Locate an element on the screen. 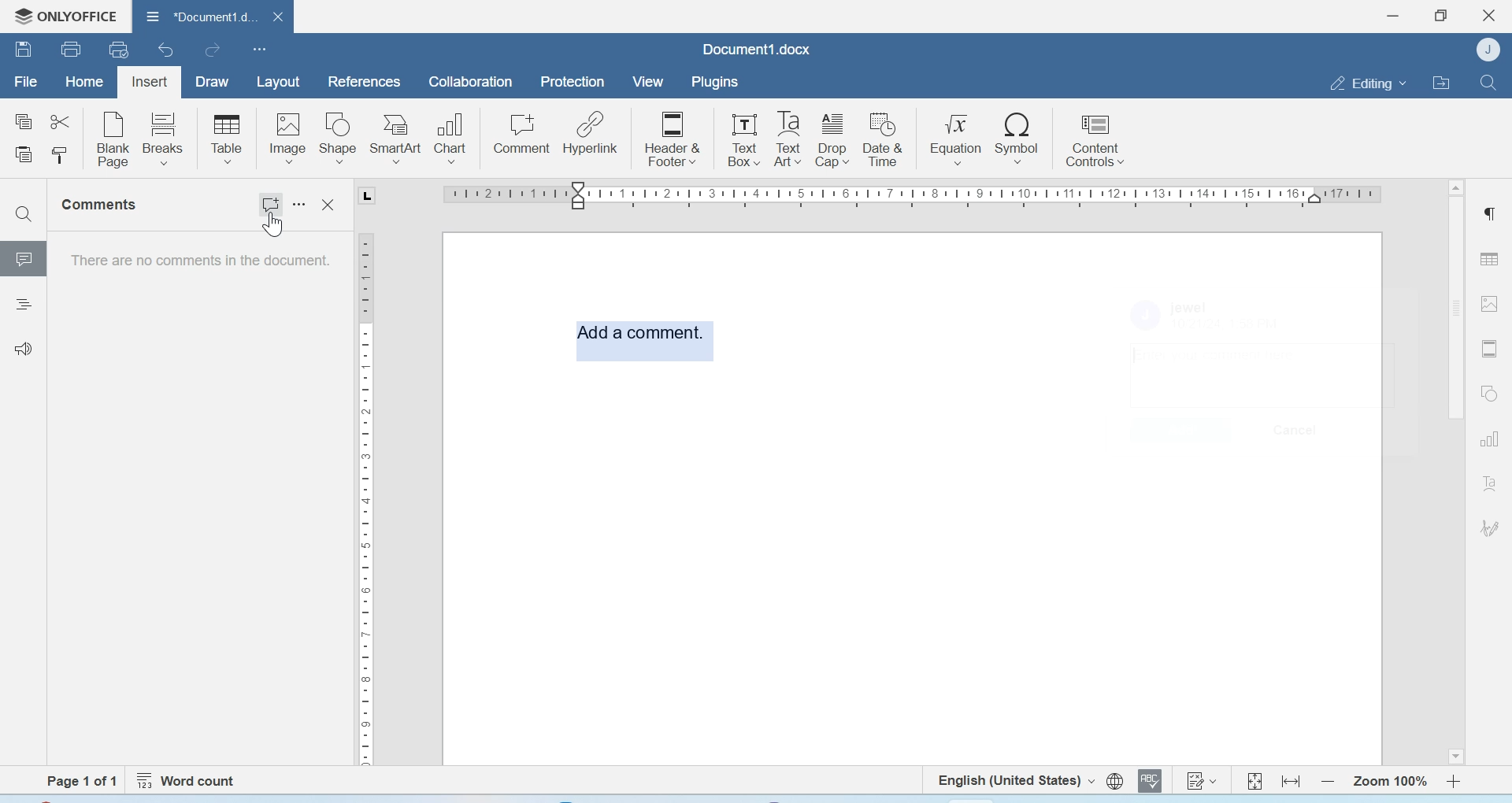 Image resolution: width=1512 pixels, height=803 pixels. Table is located at coordinates (227, 139).